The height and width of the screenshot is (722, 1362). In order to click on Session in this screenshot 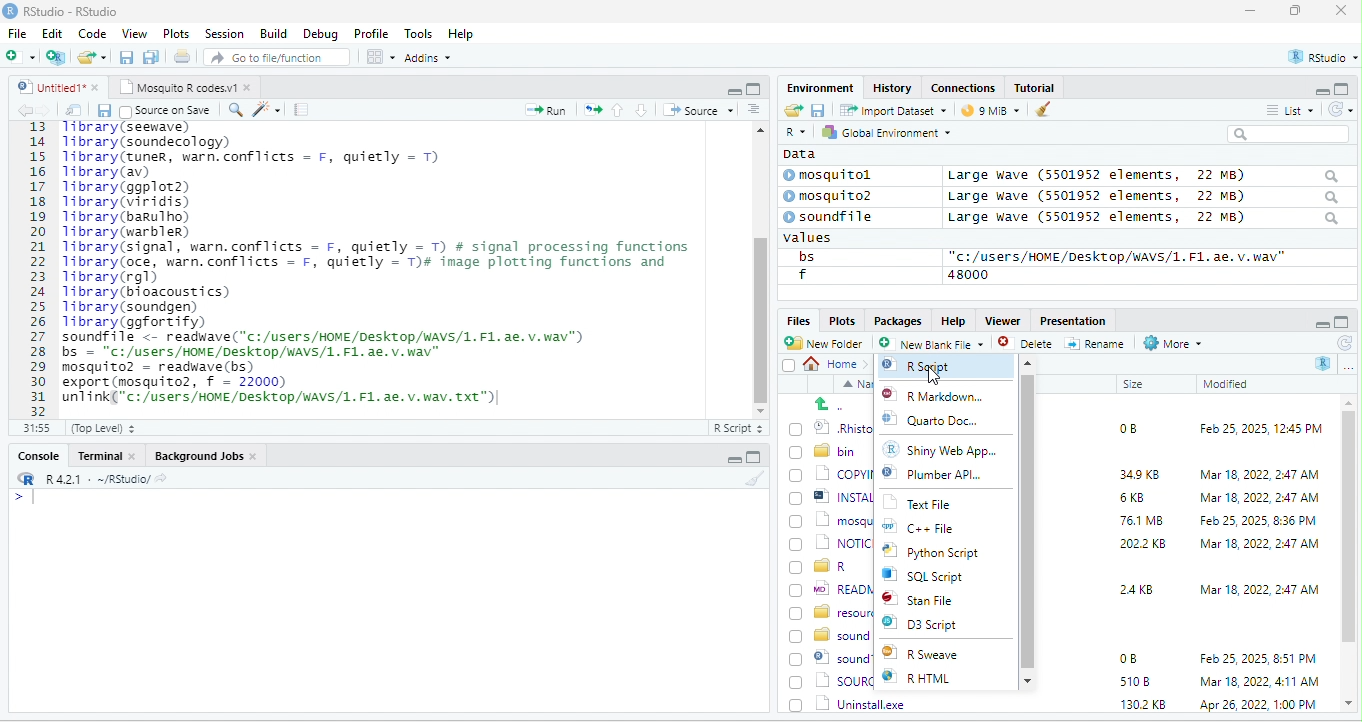, I will do `click(225, 32)`.